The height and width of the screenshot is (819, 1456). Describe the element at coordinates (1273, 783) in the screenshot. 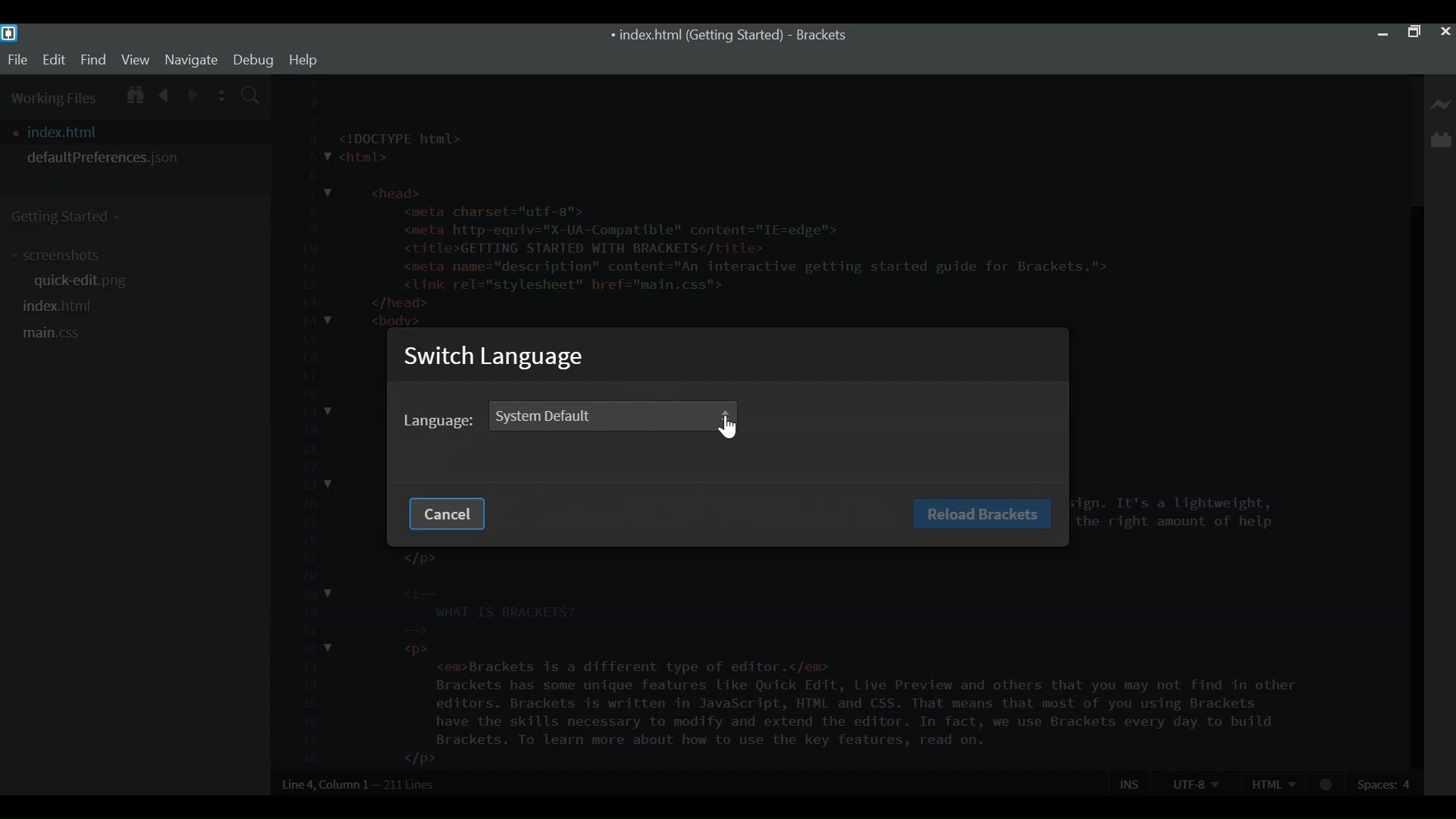

I see `HTML` at that location.